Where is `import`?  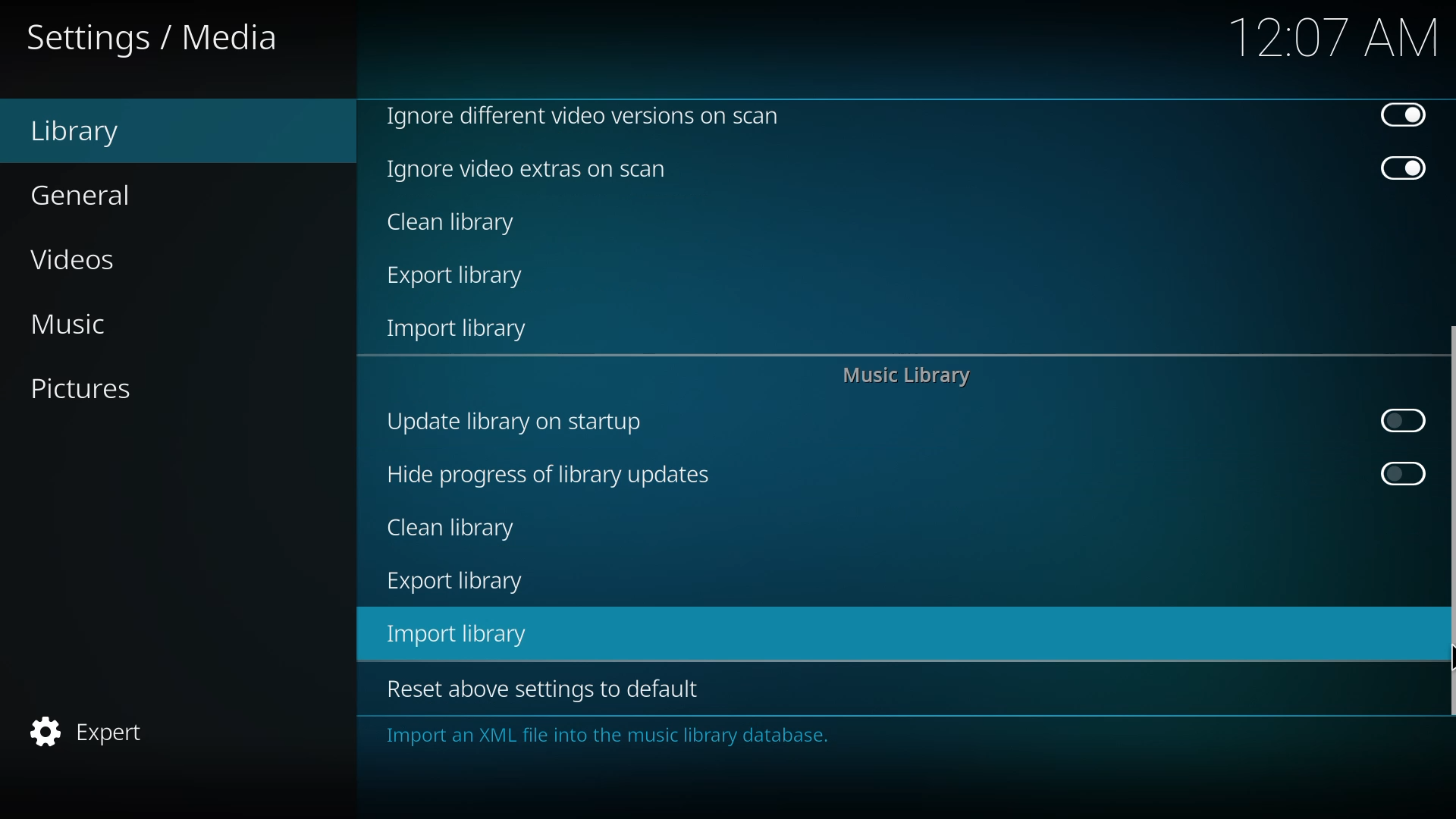
import is located at coordinates (460, 634).